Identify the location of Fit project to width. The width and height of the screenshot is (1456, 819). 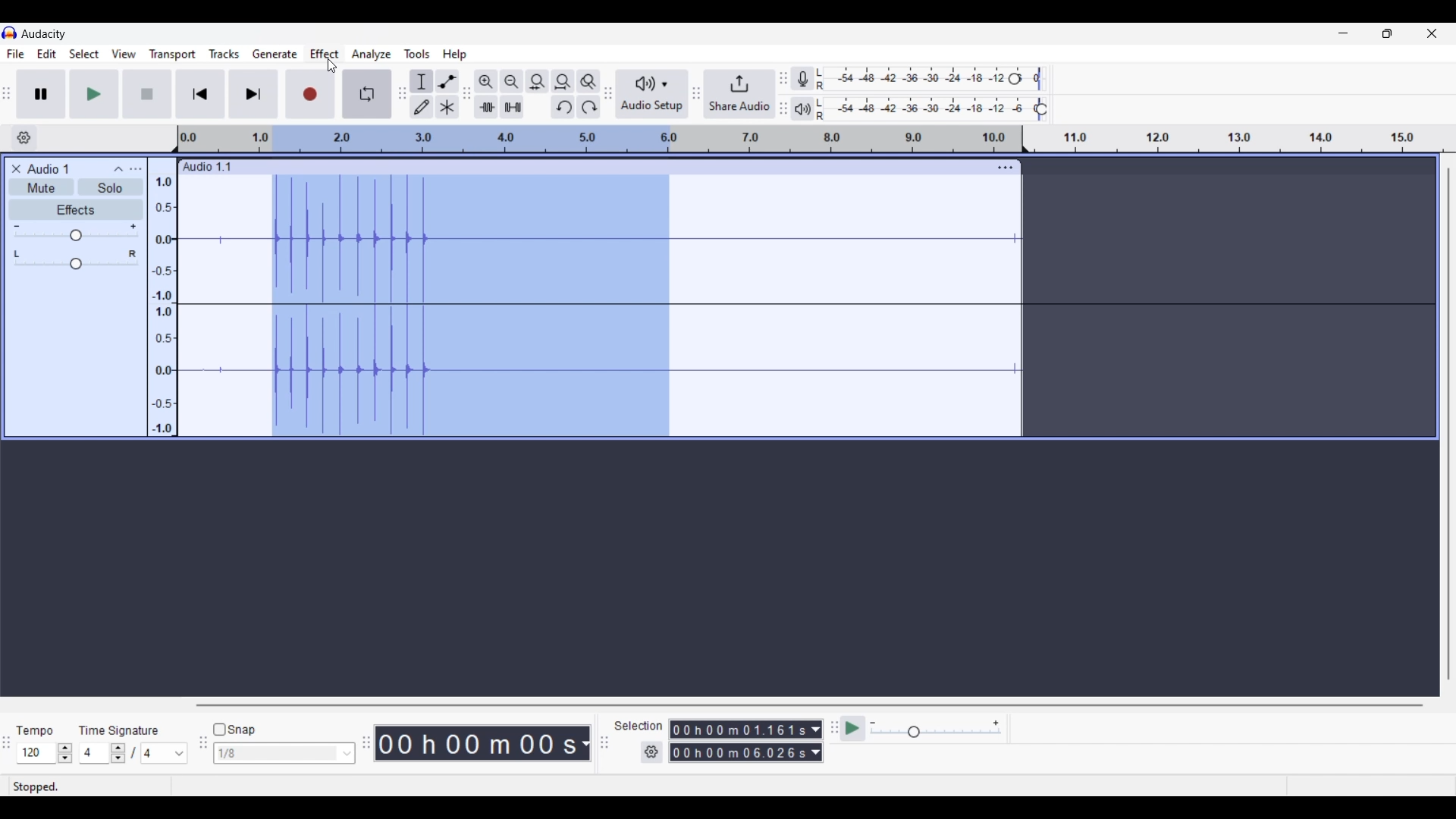
(563, 81).